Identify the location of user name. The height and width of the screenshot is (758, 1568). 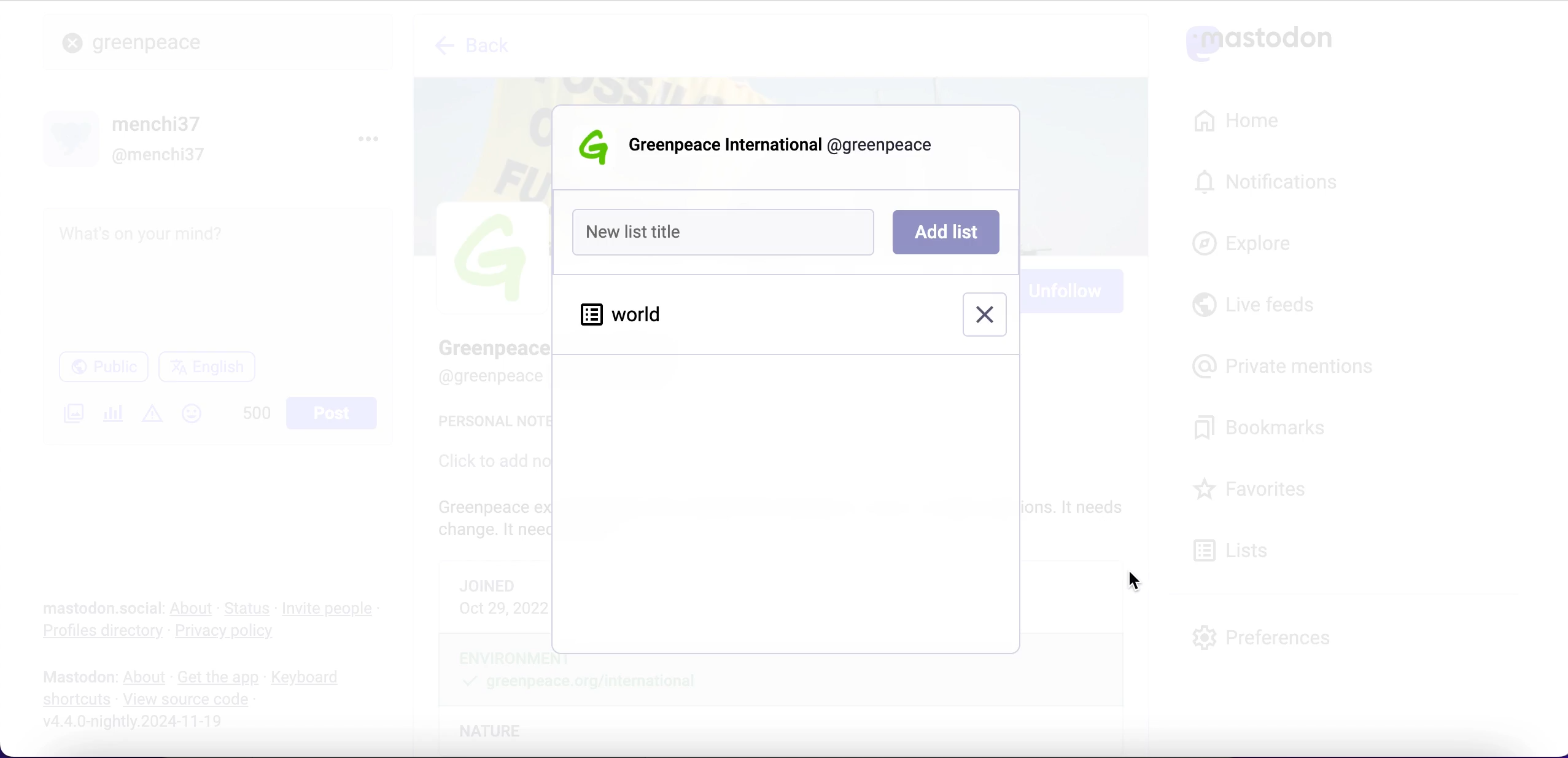
(128, 138).